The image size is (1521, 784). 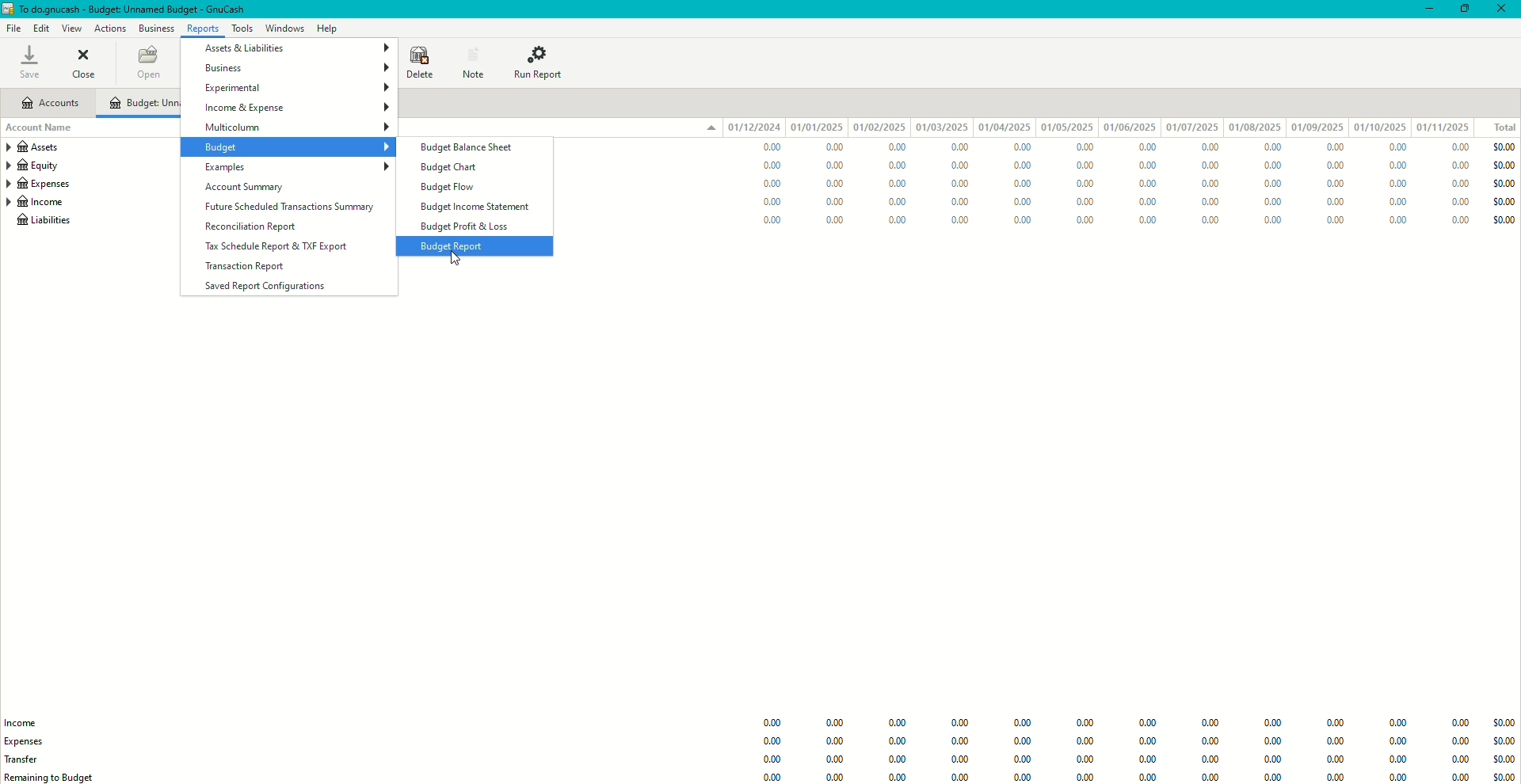 What do you see at coordinates (1085, 149) in the screenshot?
I see `0.00` at bounding box center [1085, 149].